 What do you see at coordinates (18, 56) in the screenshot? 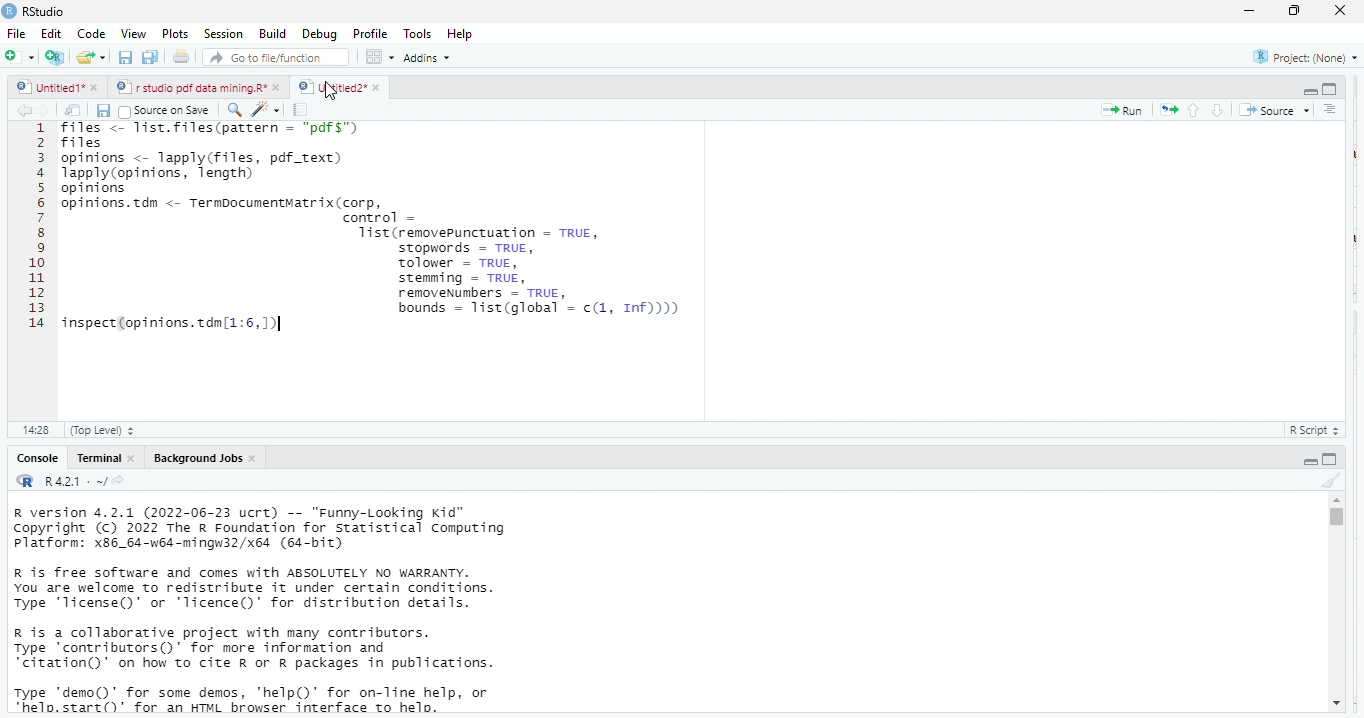
I see `new file` at bounding box center [18, 56].